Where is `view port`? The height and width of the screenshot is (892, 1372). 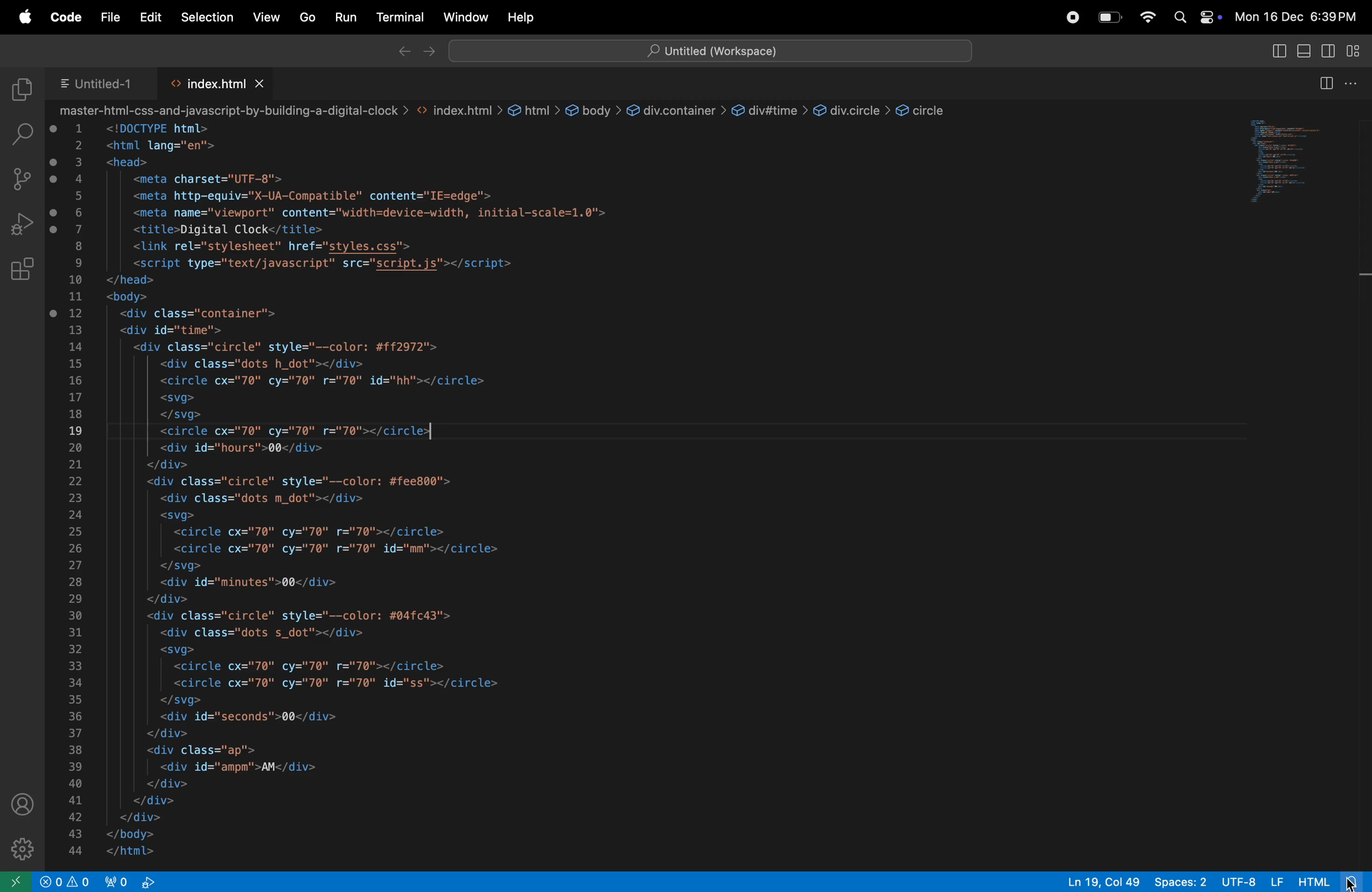 view port is located at coordinates (138, 880).